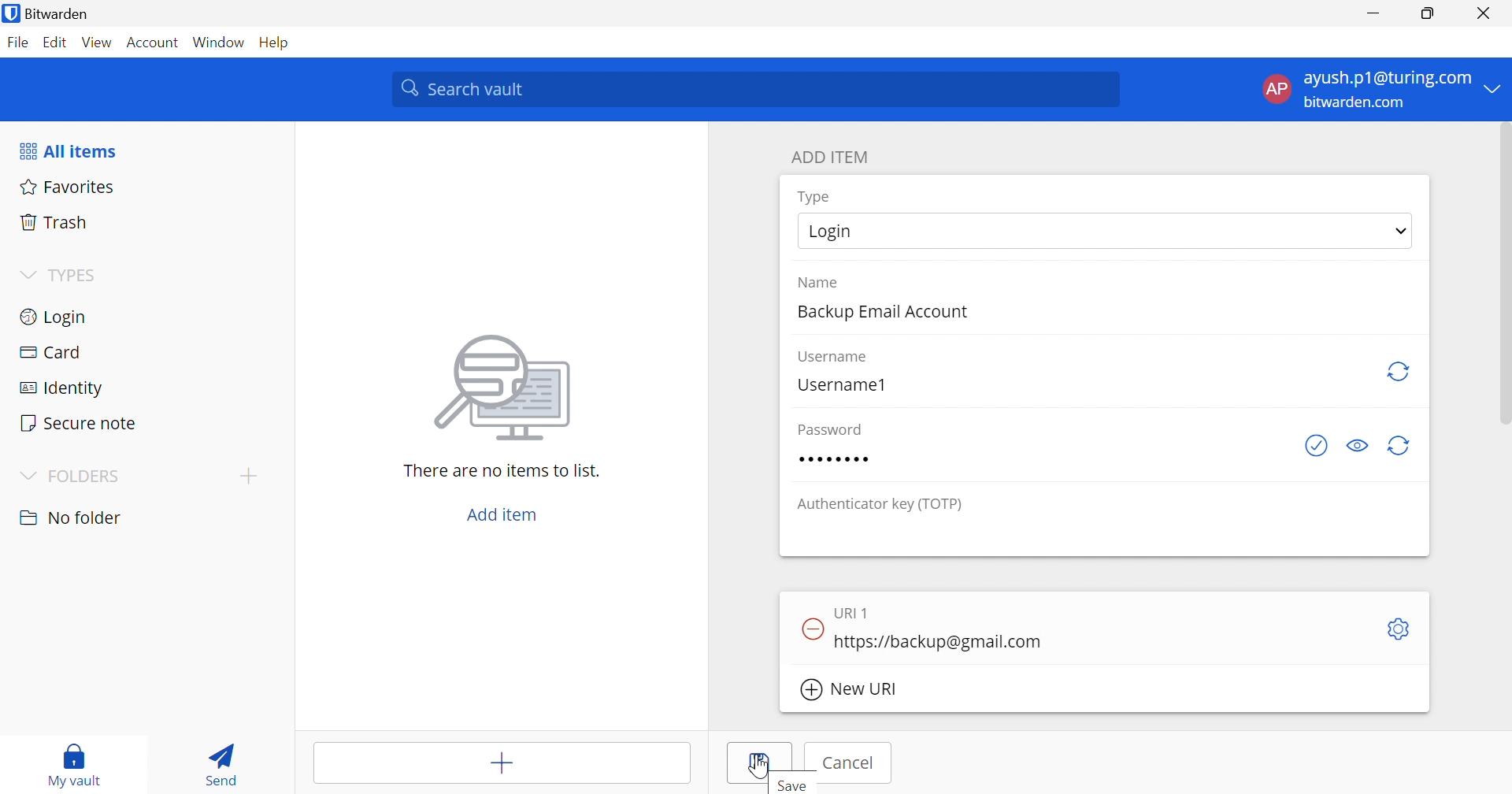  Describe the element at coordinates (11, 13) in the screenshot. I see `bitwarden logo` at that location.